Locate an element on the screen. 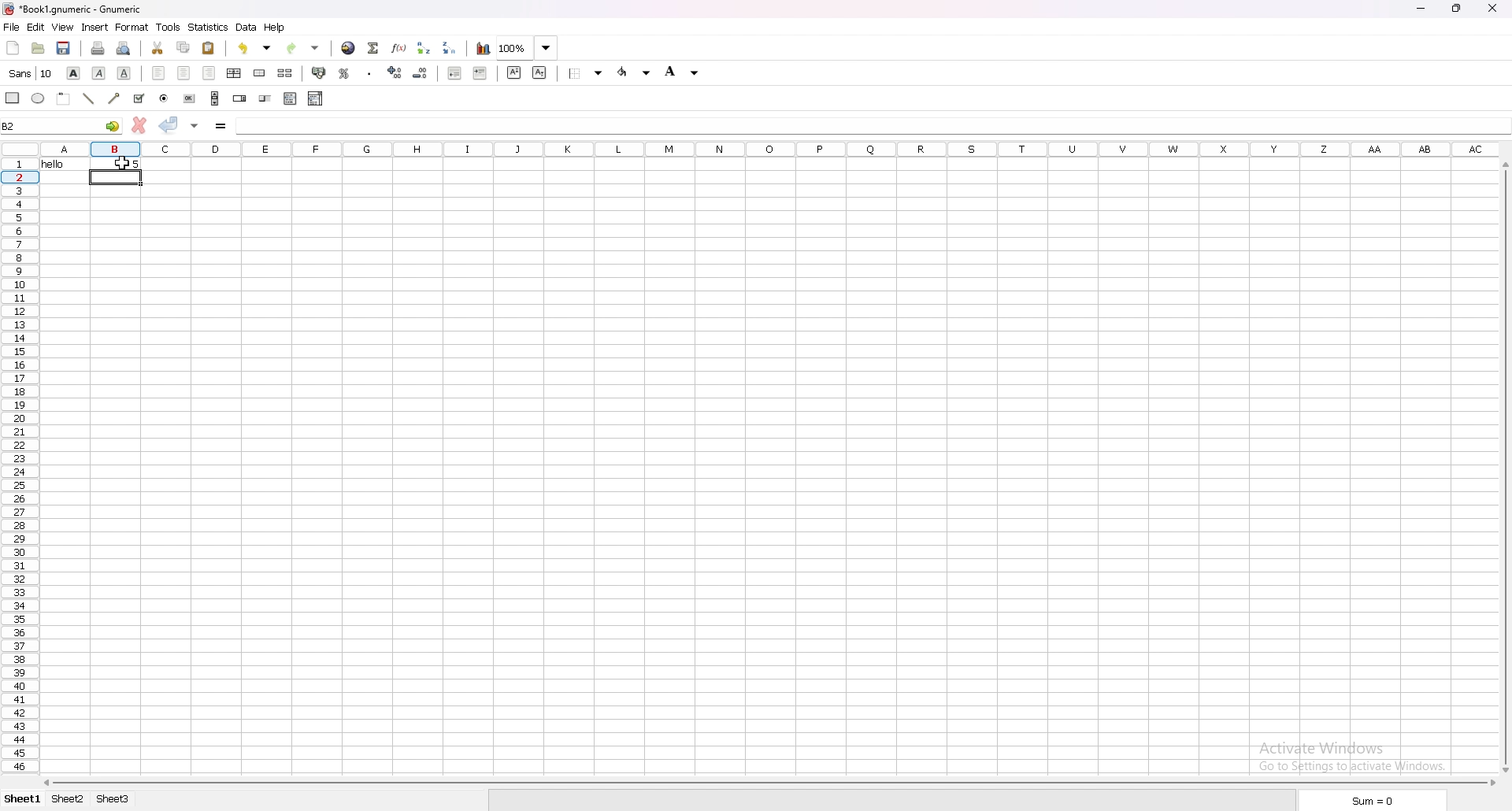 This screenshot has width=1512, height=811. split merged is located at coordinates (286, 73).